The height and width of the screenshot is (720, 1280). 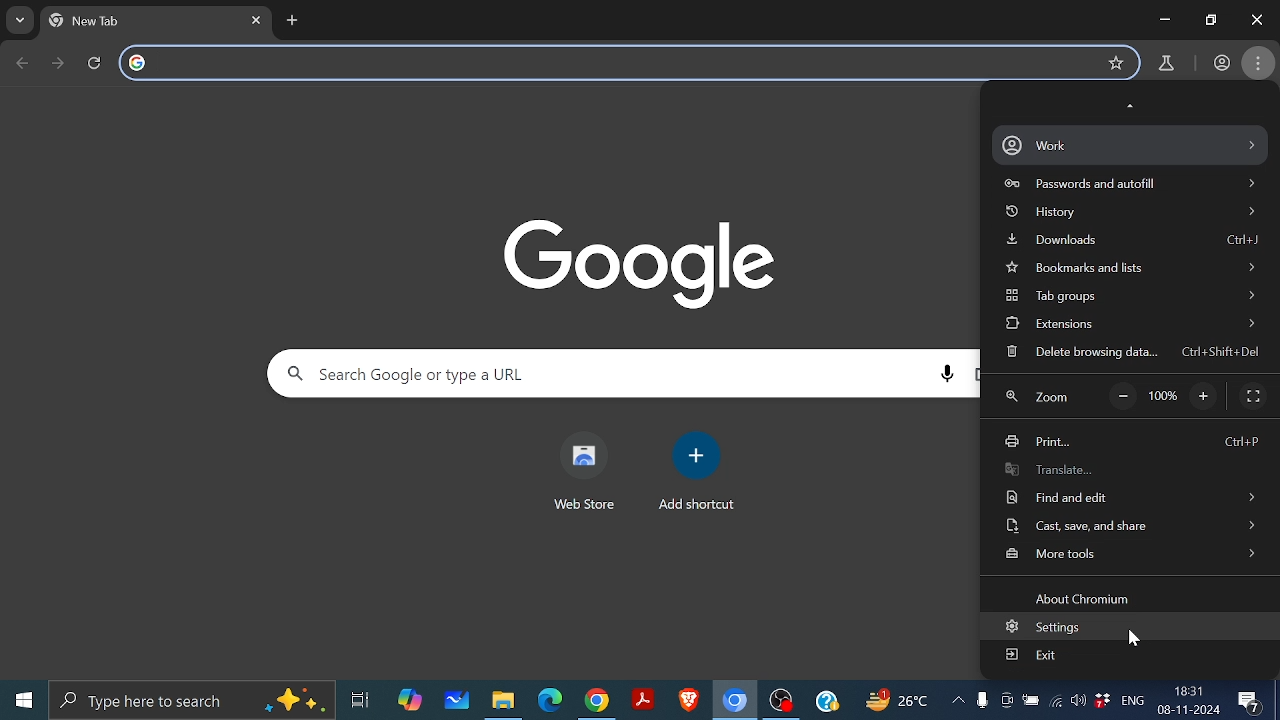 I want to click on , so click(x=1208, y=18).